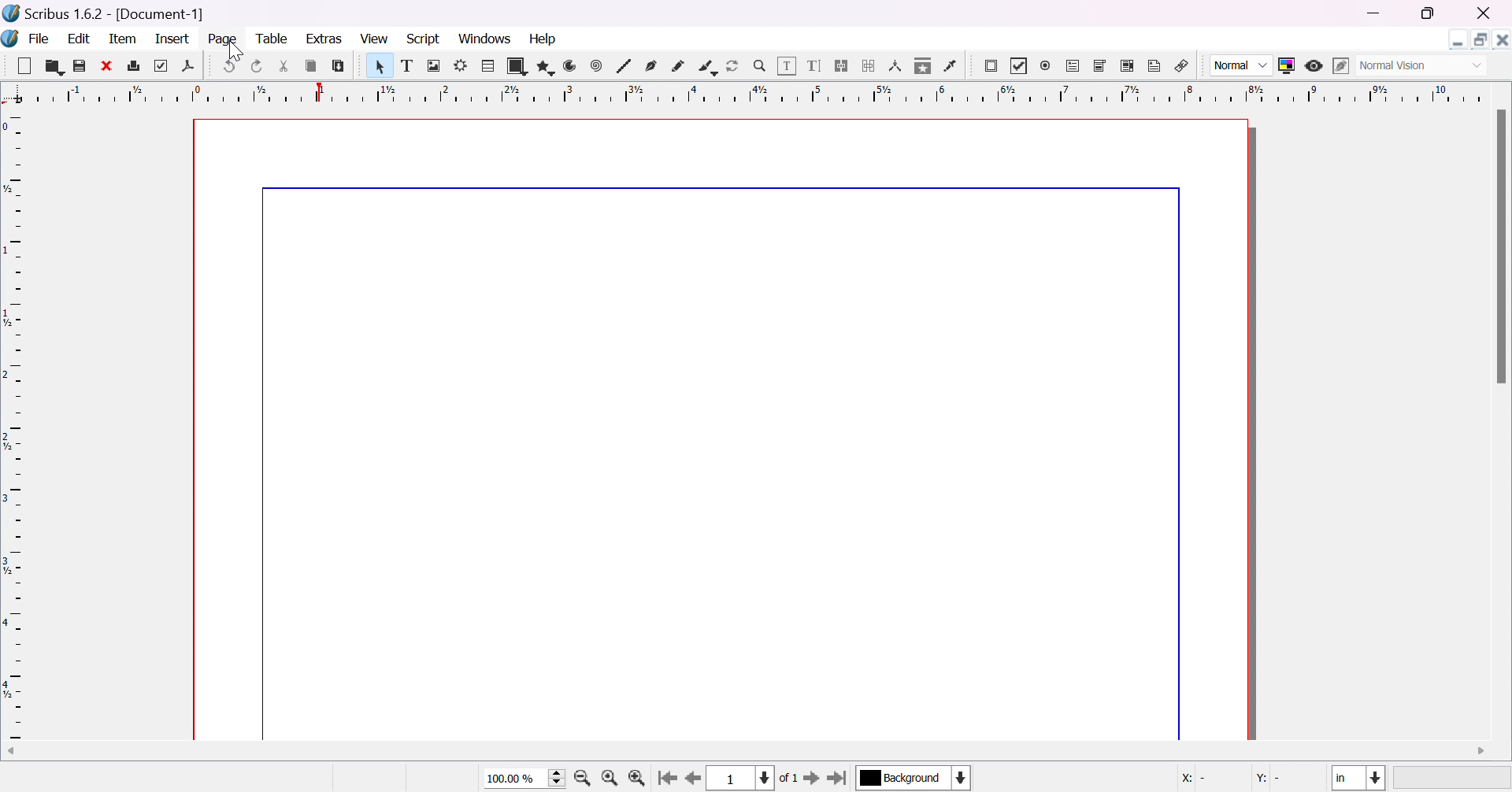 The width and height of the screenshot is (1512, 792). I want to click on measurements, so click(898, 67).